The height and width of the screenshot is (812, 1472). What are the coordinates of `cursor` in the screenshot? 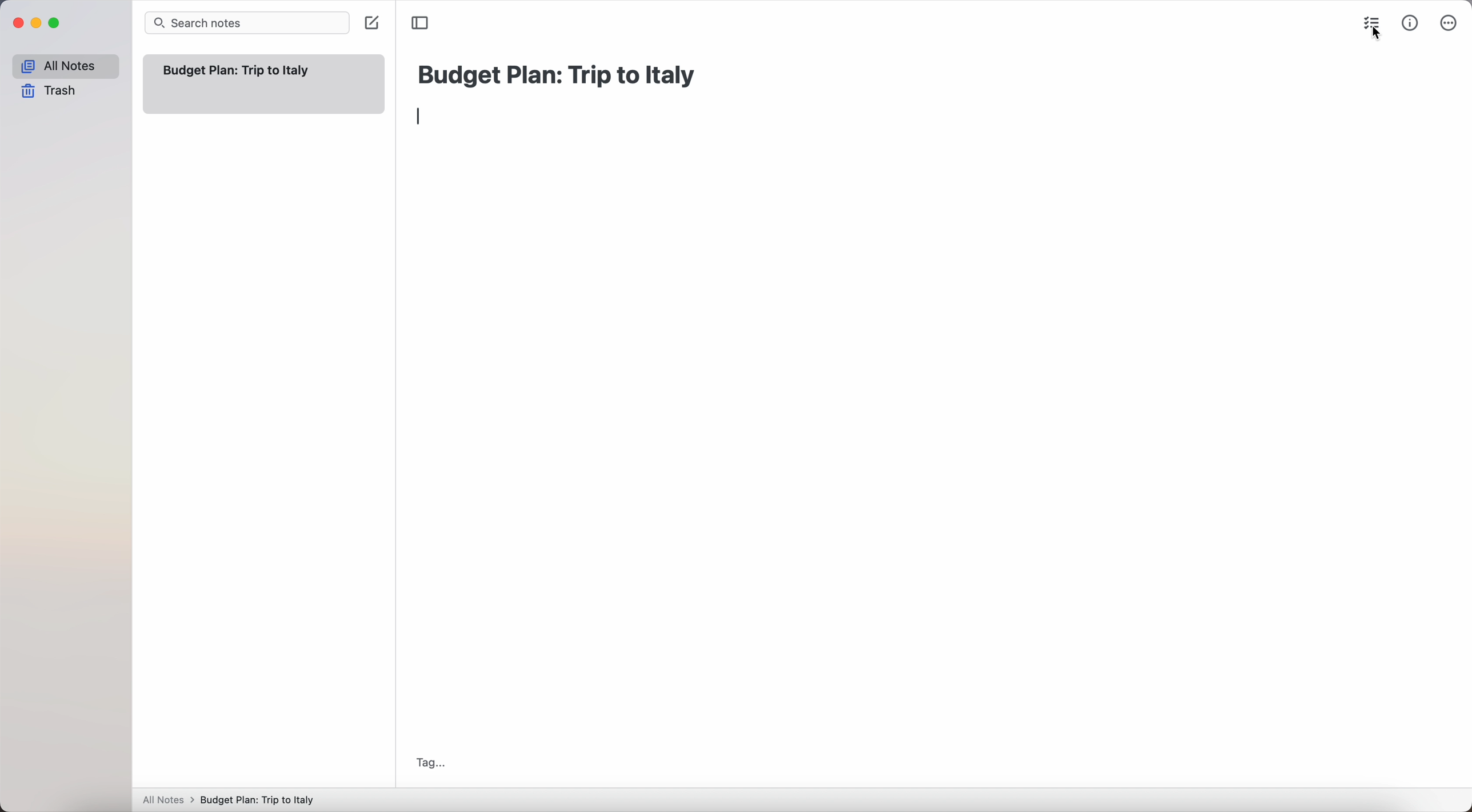 It's located at (1374, 36).